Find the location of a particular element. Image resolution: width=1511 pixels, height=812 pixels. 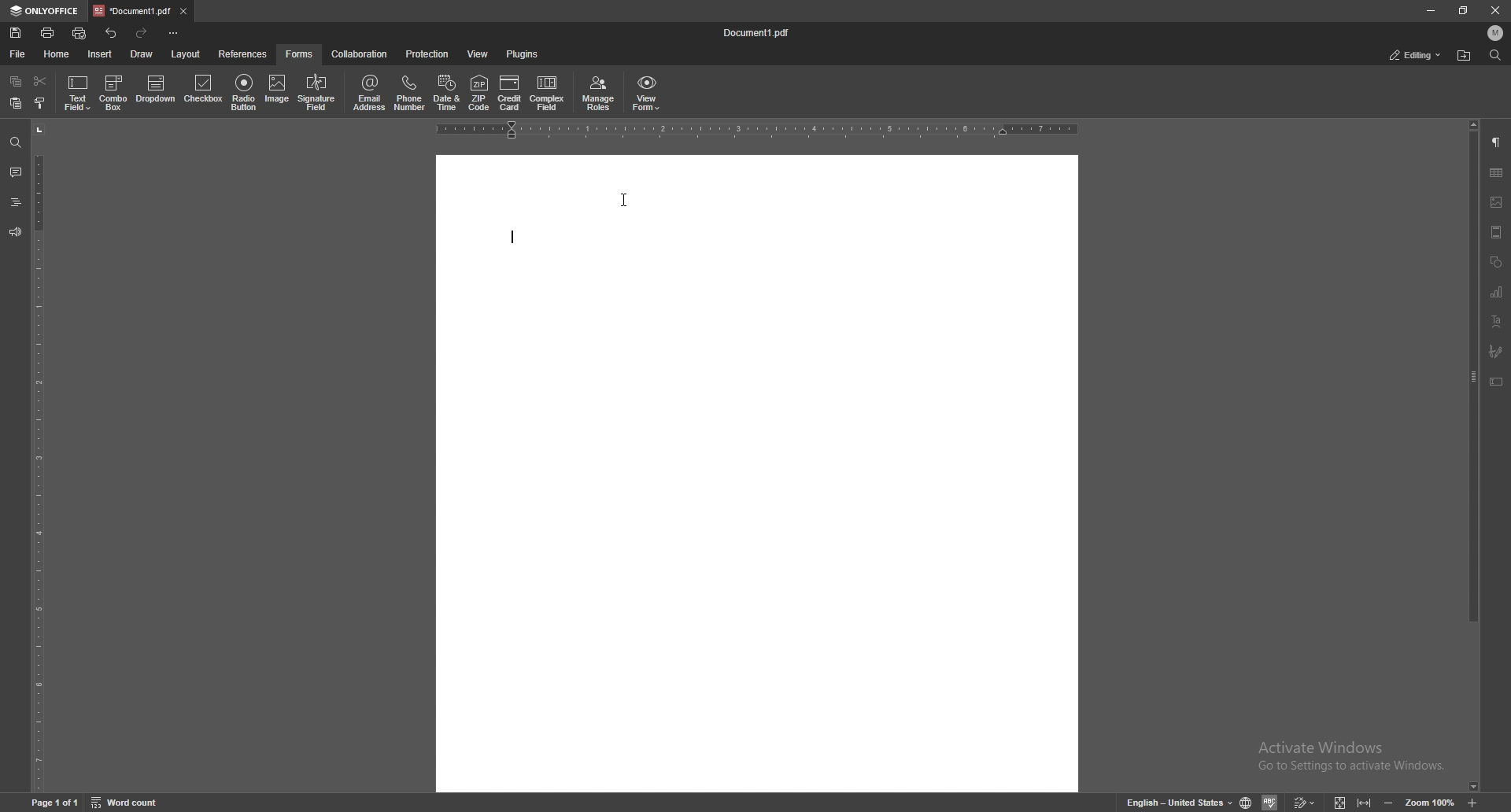

view is located at coordinates (477, 54).